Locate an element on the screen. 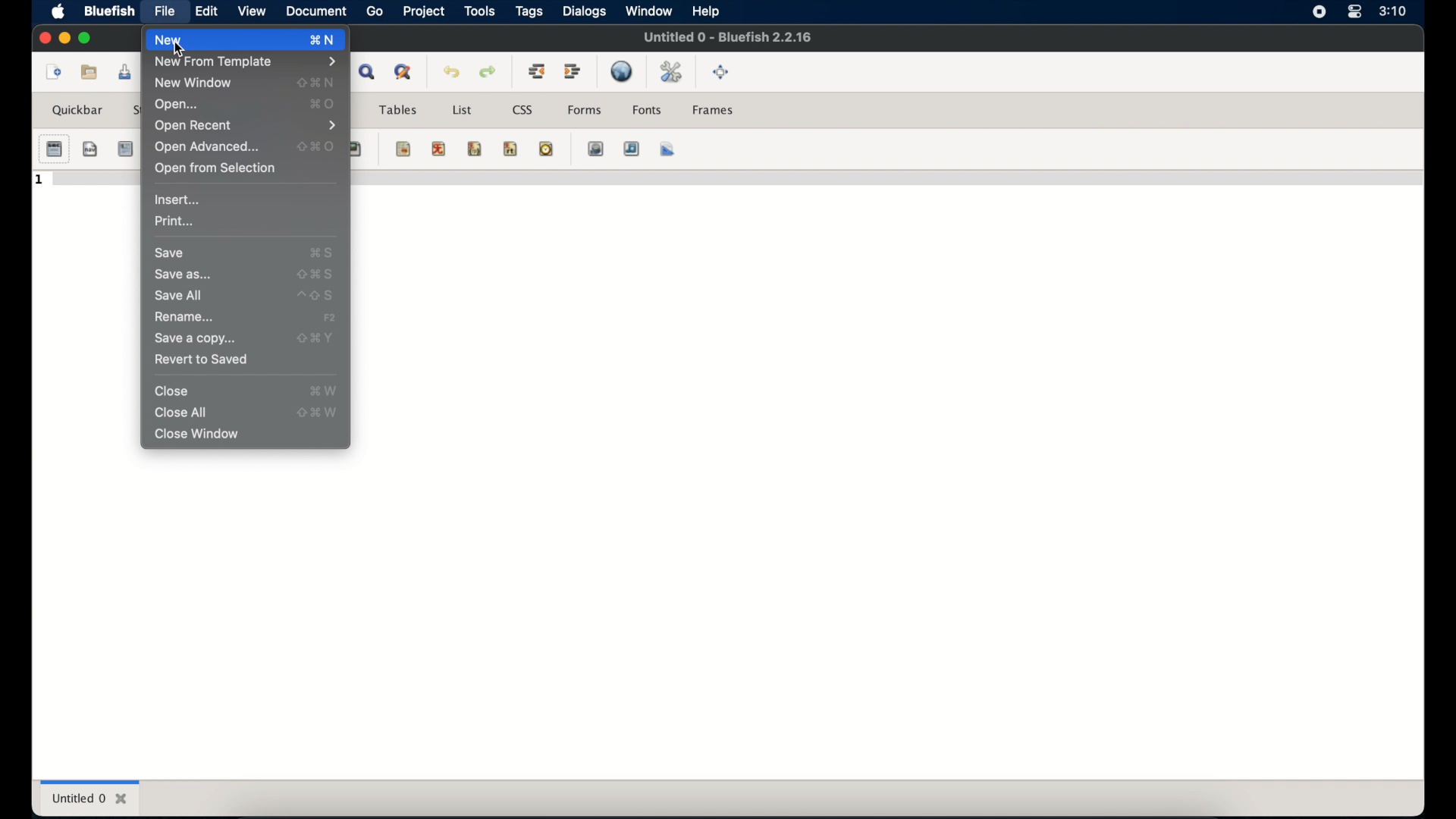 Image resolution: width=1456 pixels, height=819 pixels. open advanced shortcut is located at coordinates (316, 146).